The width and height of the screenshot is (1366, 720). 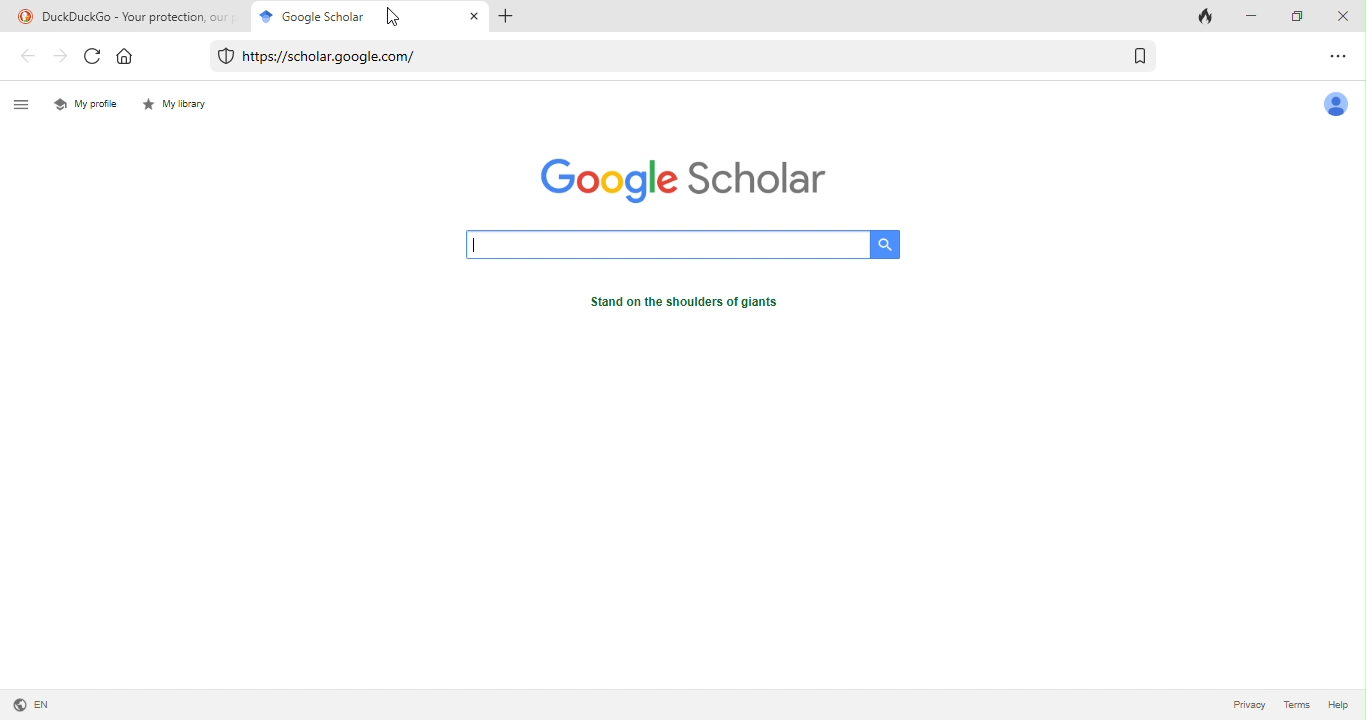 What do you see at coordinates (1339, 107) in the screenshot?
I see `account` at bounding box center [1339, 107].